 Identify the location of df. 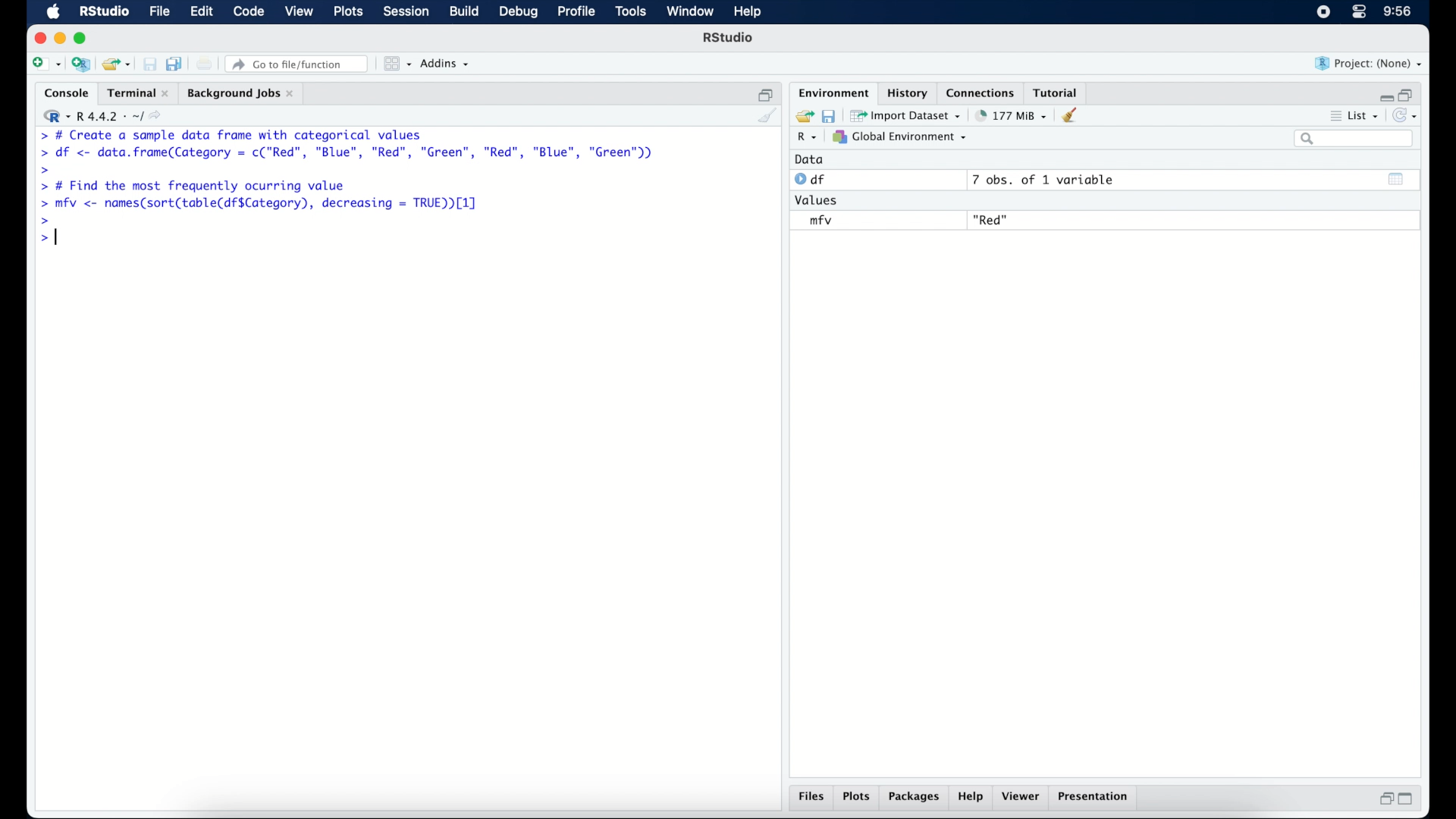
(811, 180).